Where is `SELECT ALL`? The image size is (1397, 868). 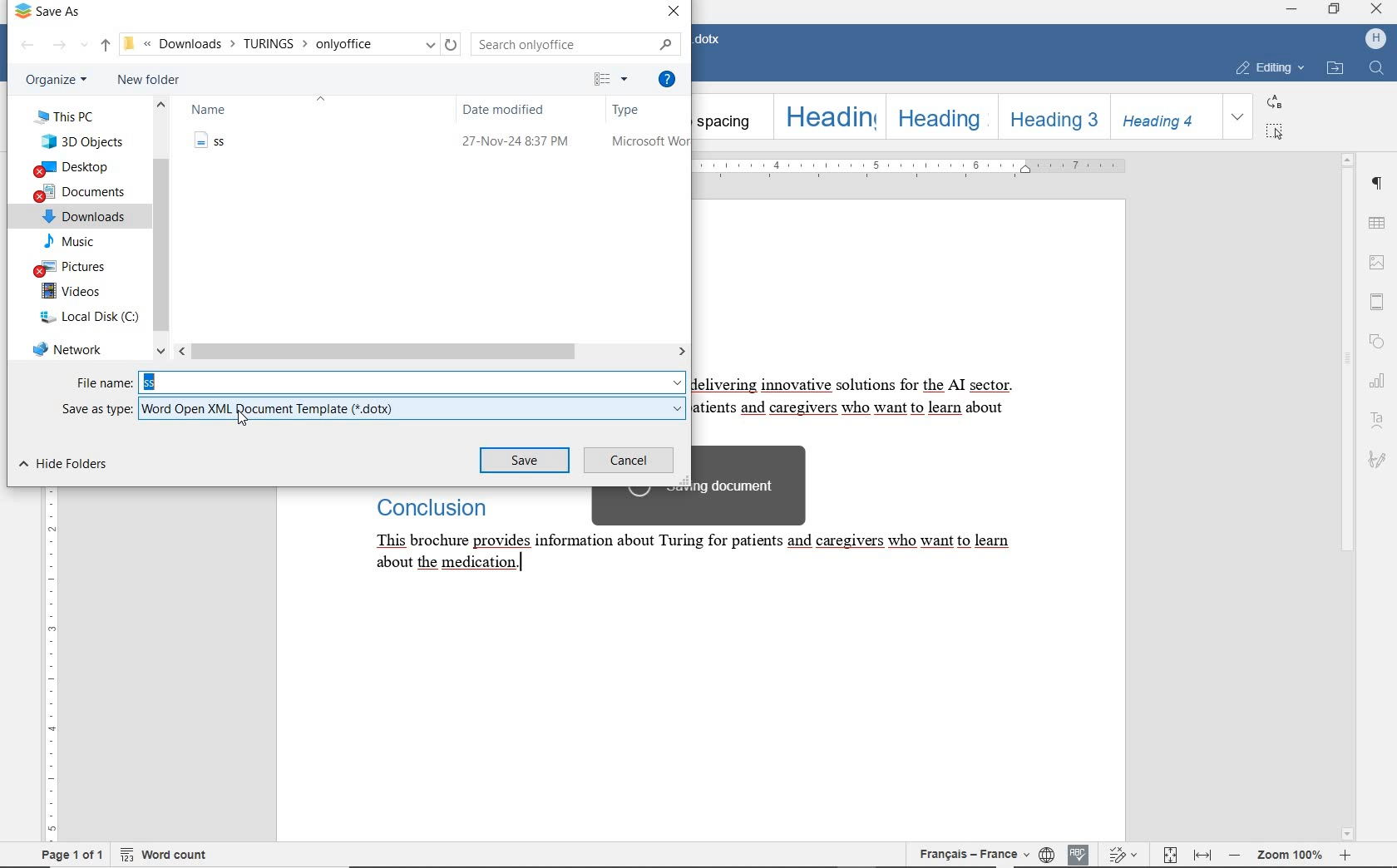
SELECT ALL is located at coordinates (1275, 131).